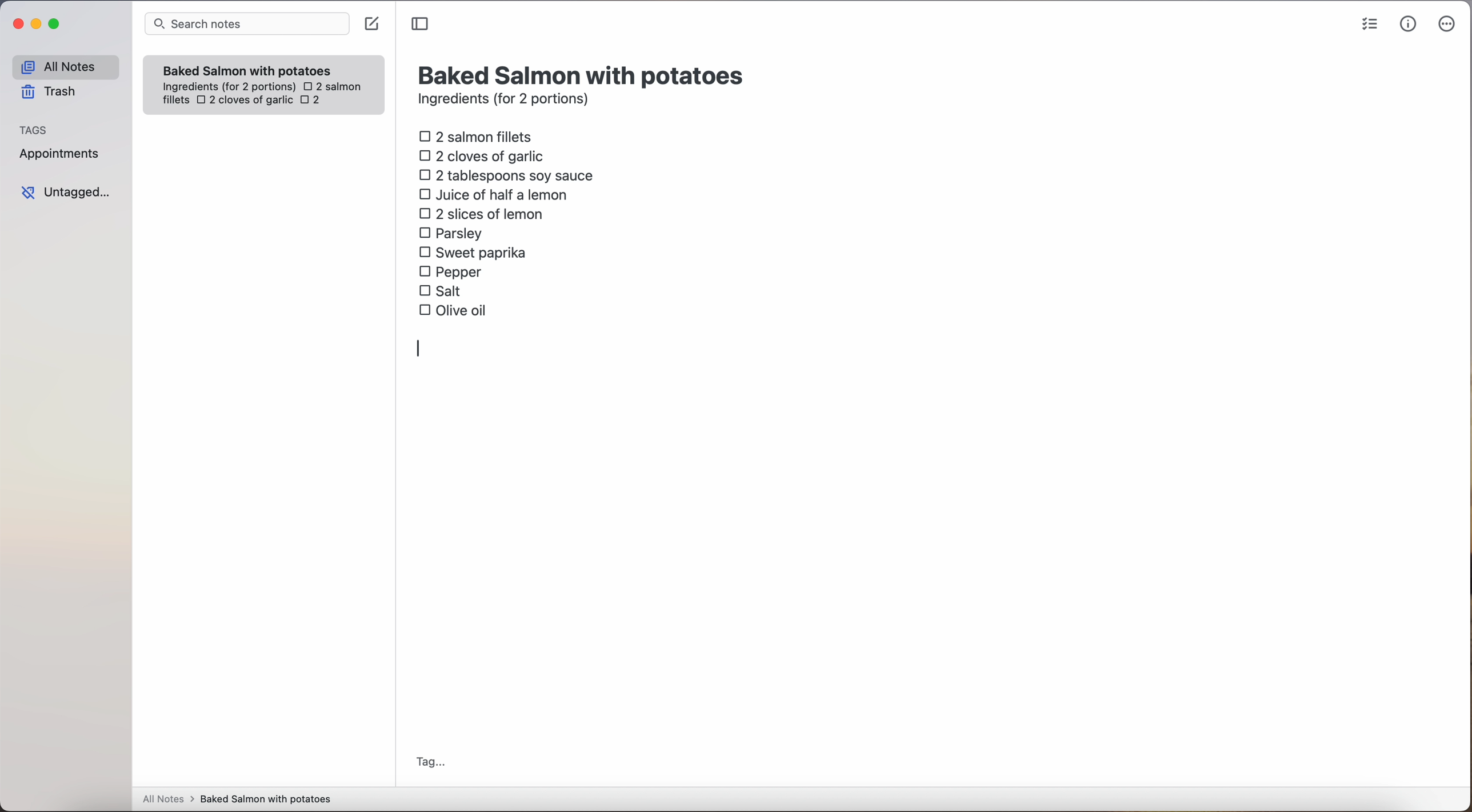  I want to click on fillets, so click(177, 101).